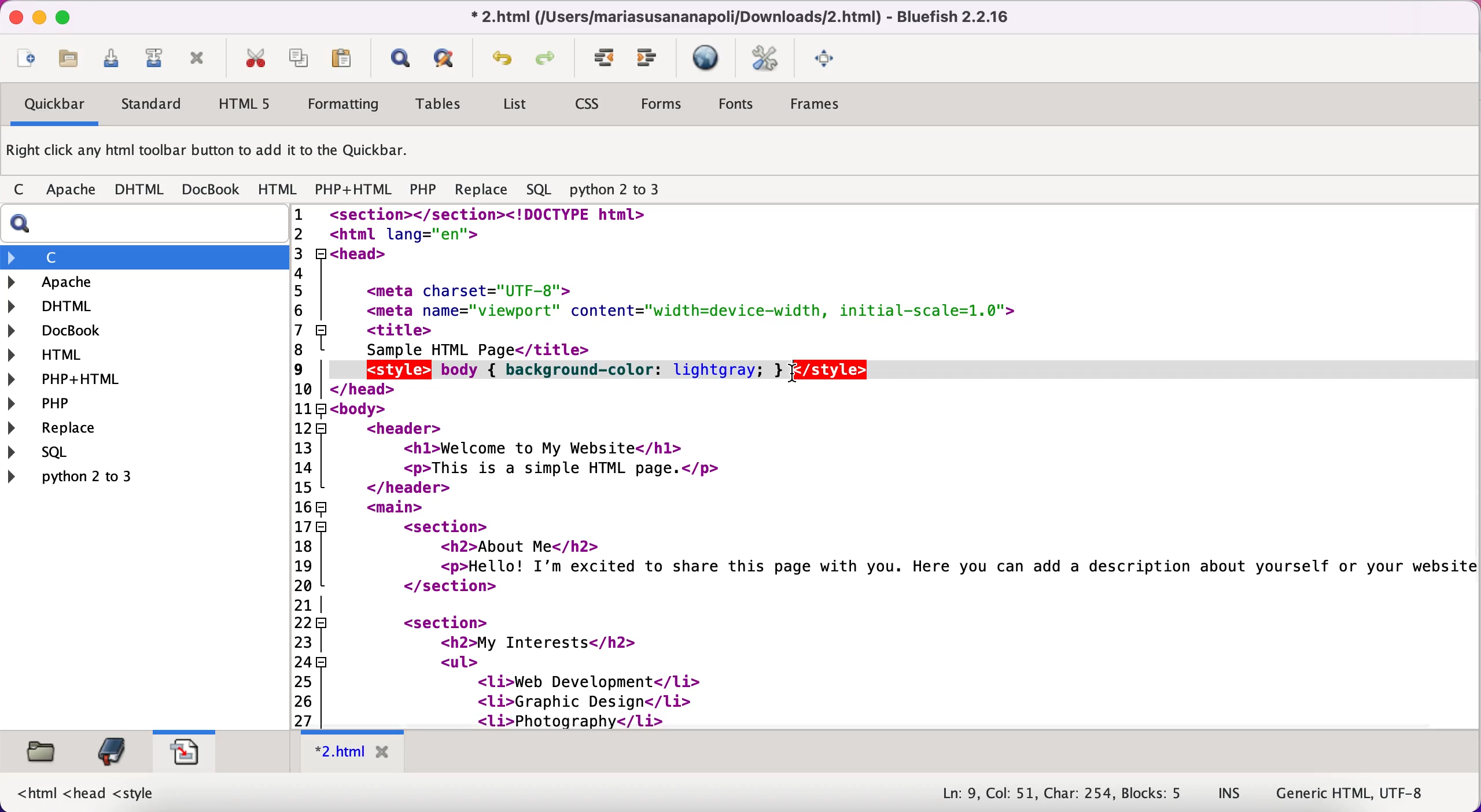 This screenshot has height=812, width=1481. I want to click on undo, so click(503, 61).